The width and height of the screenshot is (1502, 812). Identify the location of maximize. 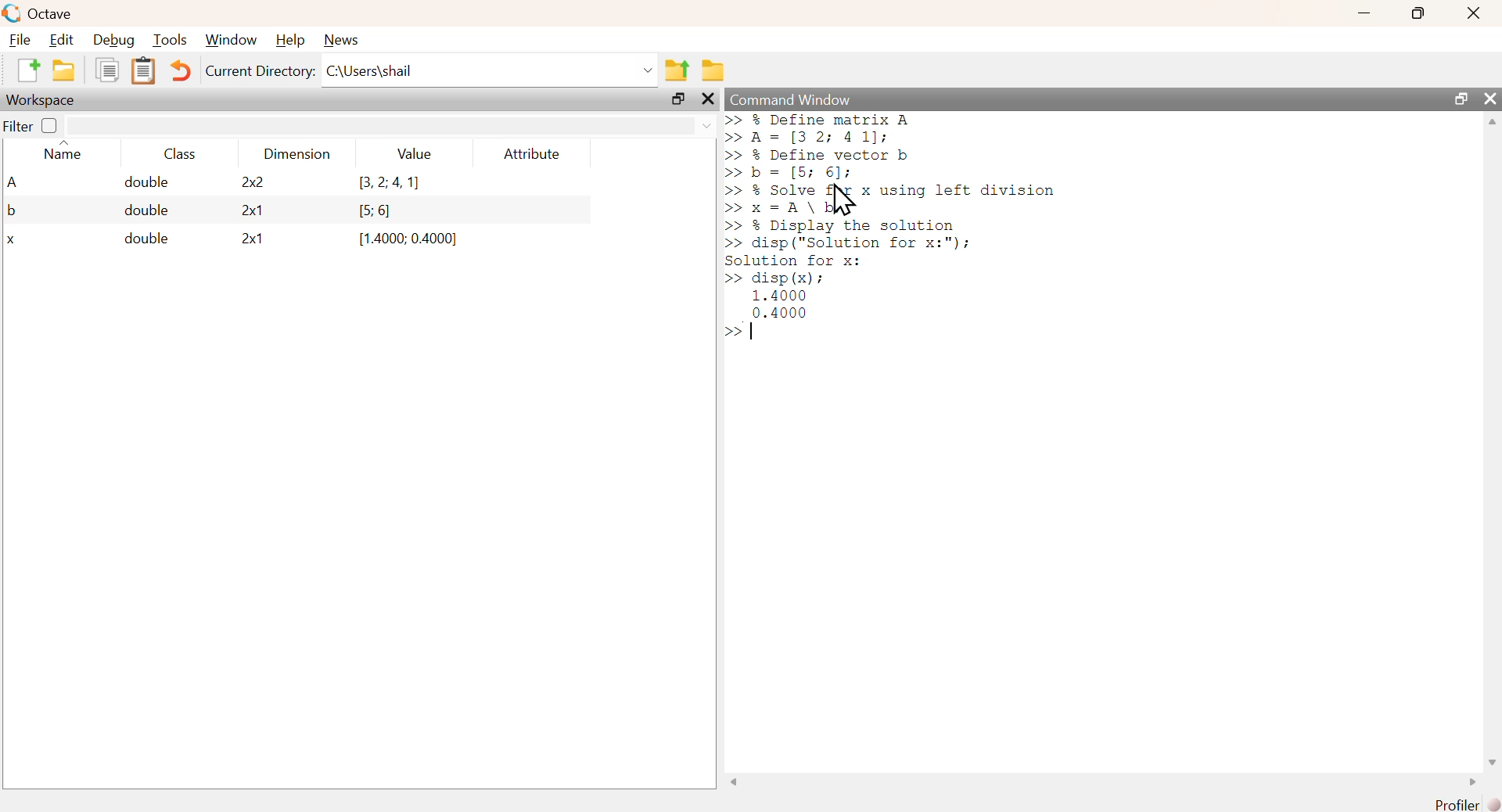
(1459, 99).